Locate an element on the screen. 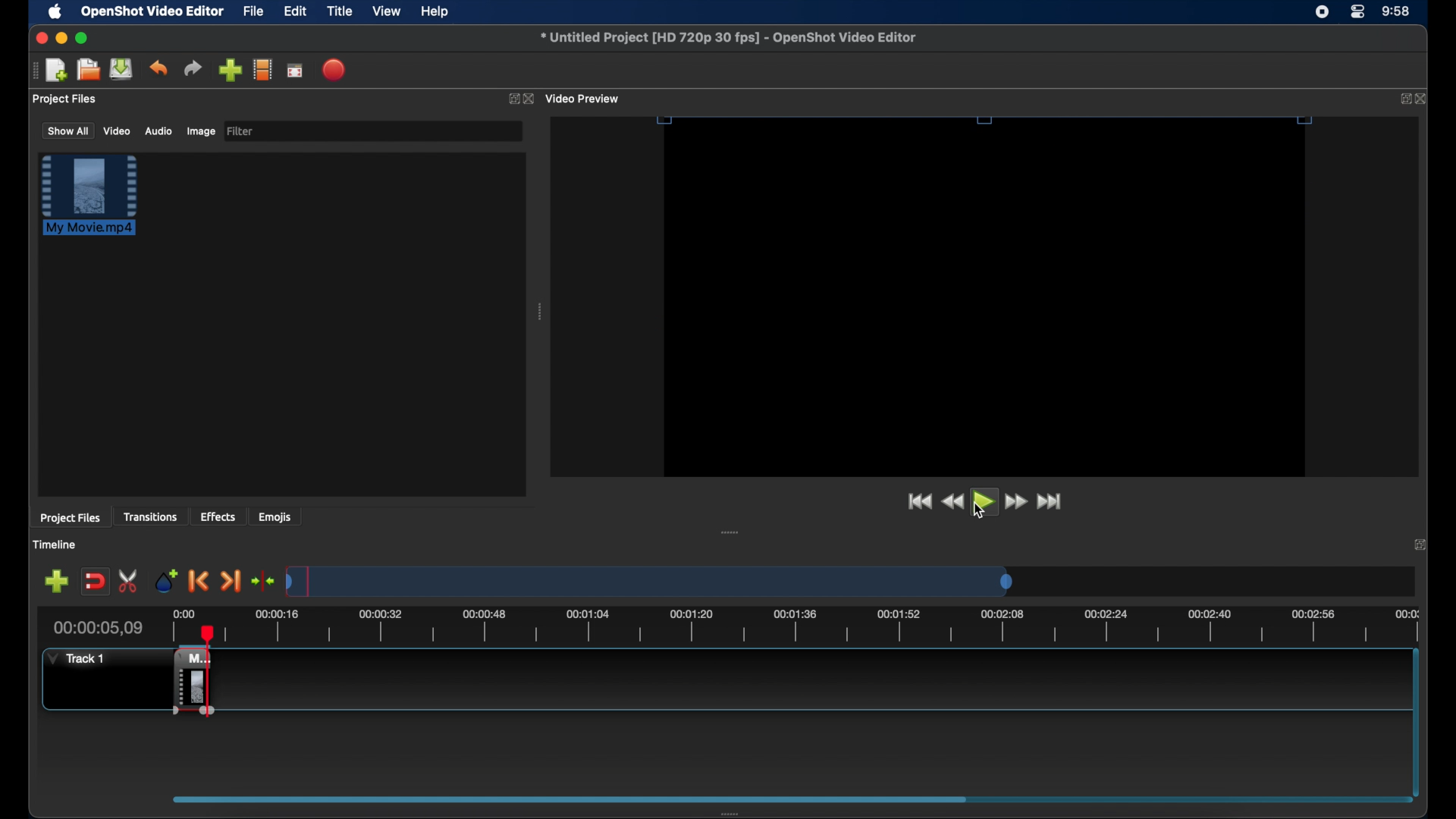 The height and width of the screenshot is (819, 1456). center the playhead on the timeline is located at coordinates (262, 581).